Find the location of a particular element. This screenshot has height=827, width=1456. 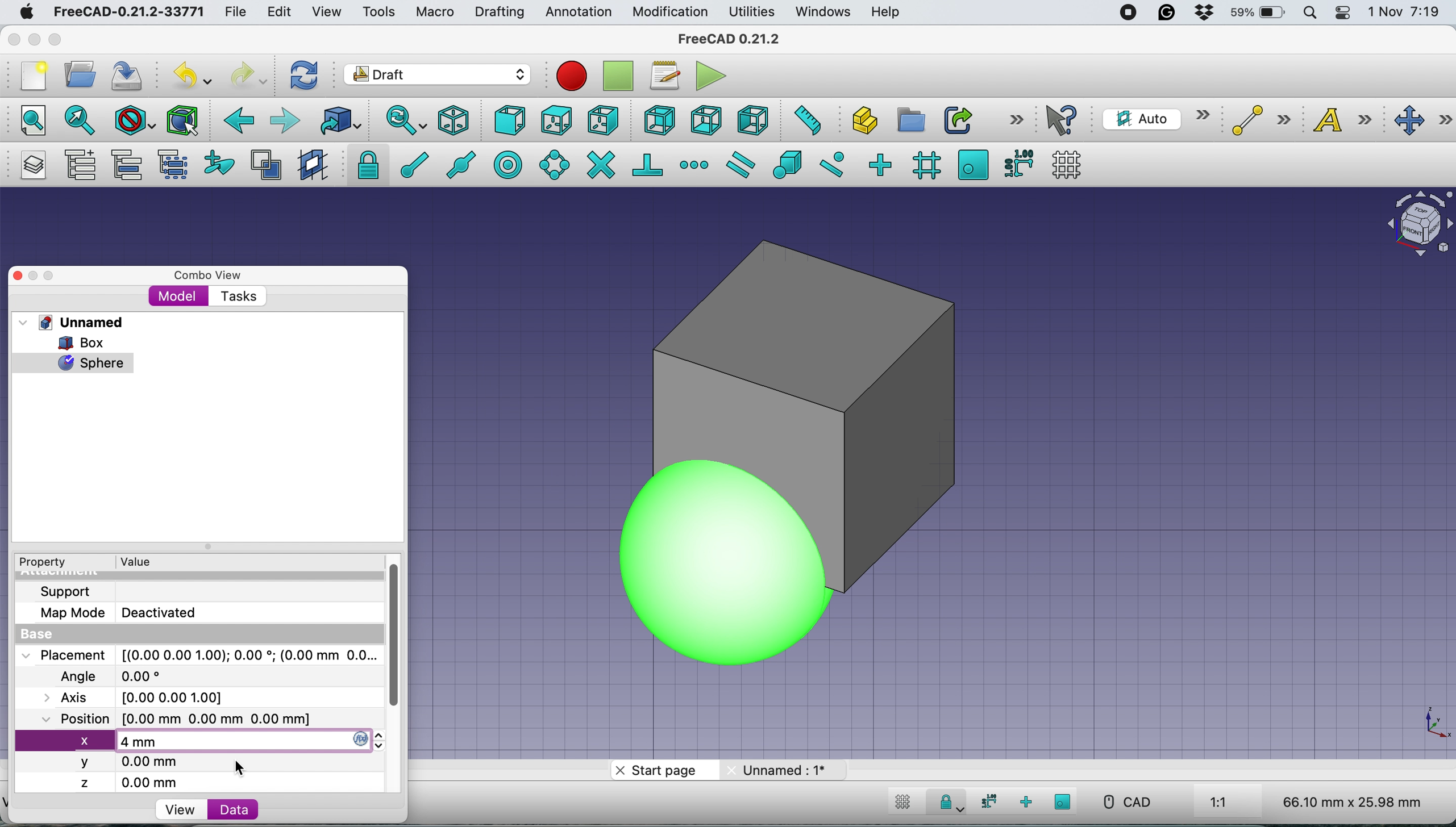

data is located at coordinates (233, 809).